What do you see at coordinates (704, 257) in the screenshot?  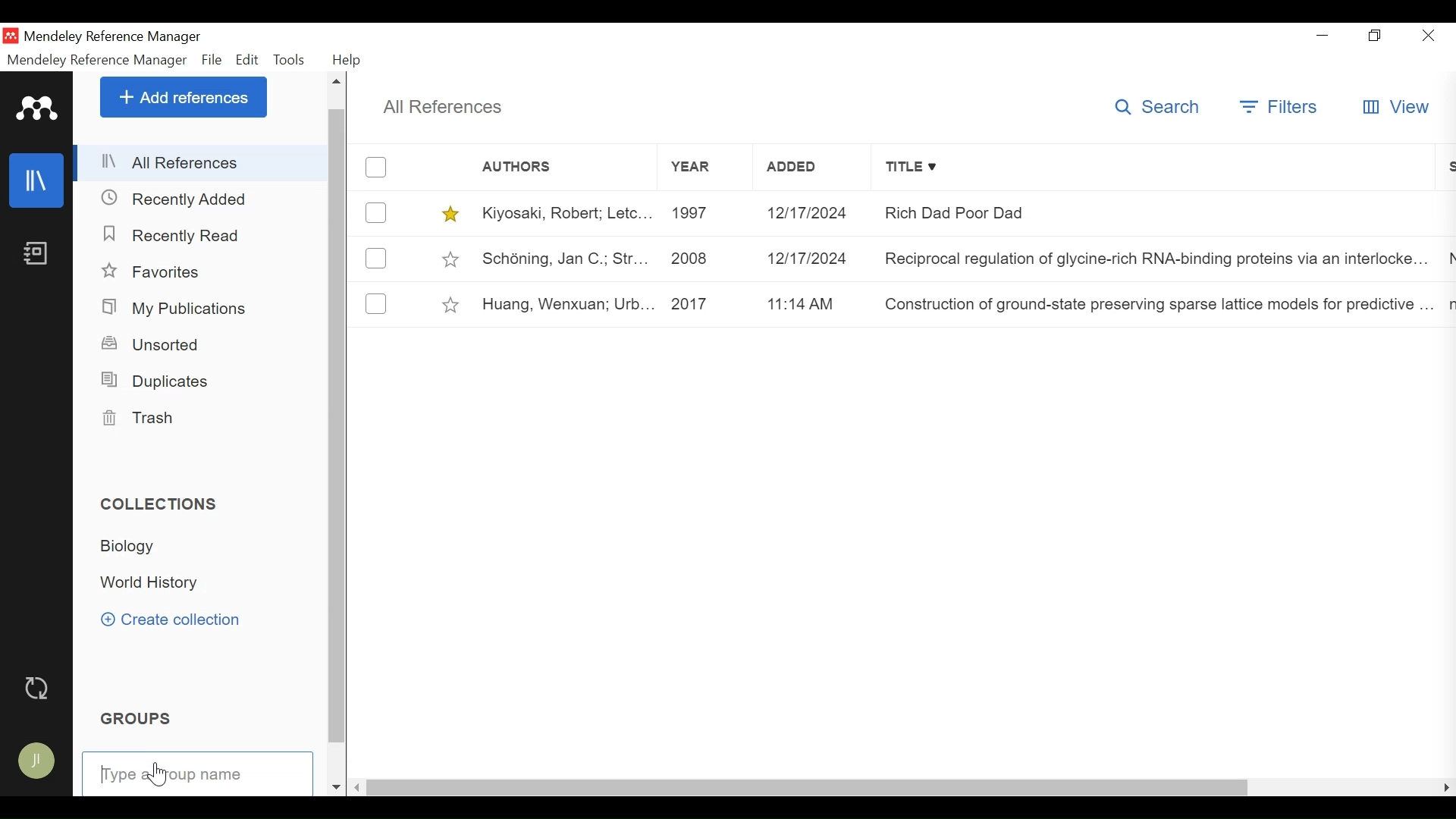 I see `2008` at bounding box center [704, 257].